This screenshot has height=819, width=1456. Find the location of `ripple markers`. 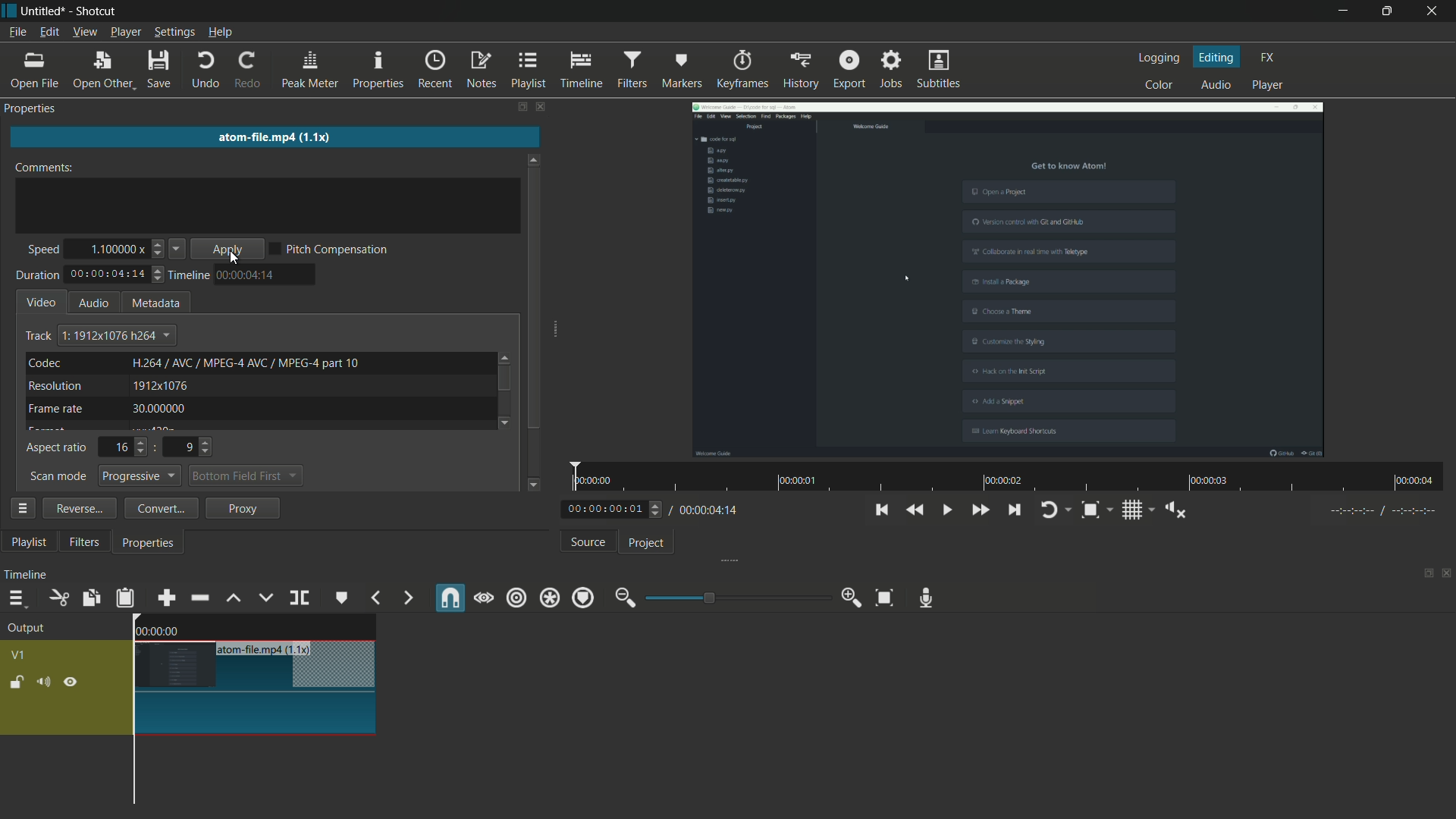

ripple markers is located at coordinates (583, 598).